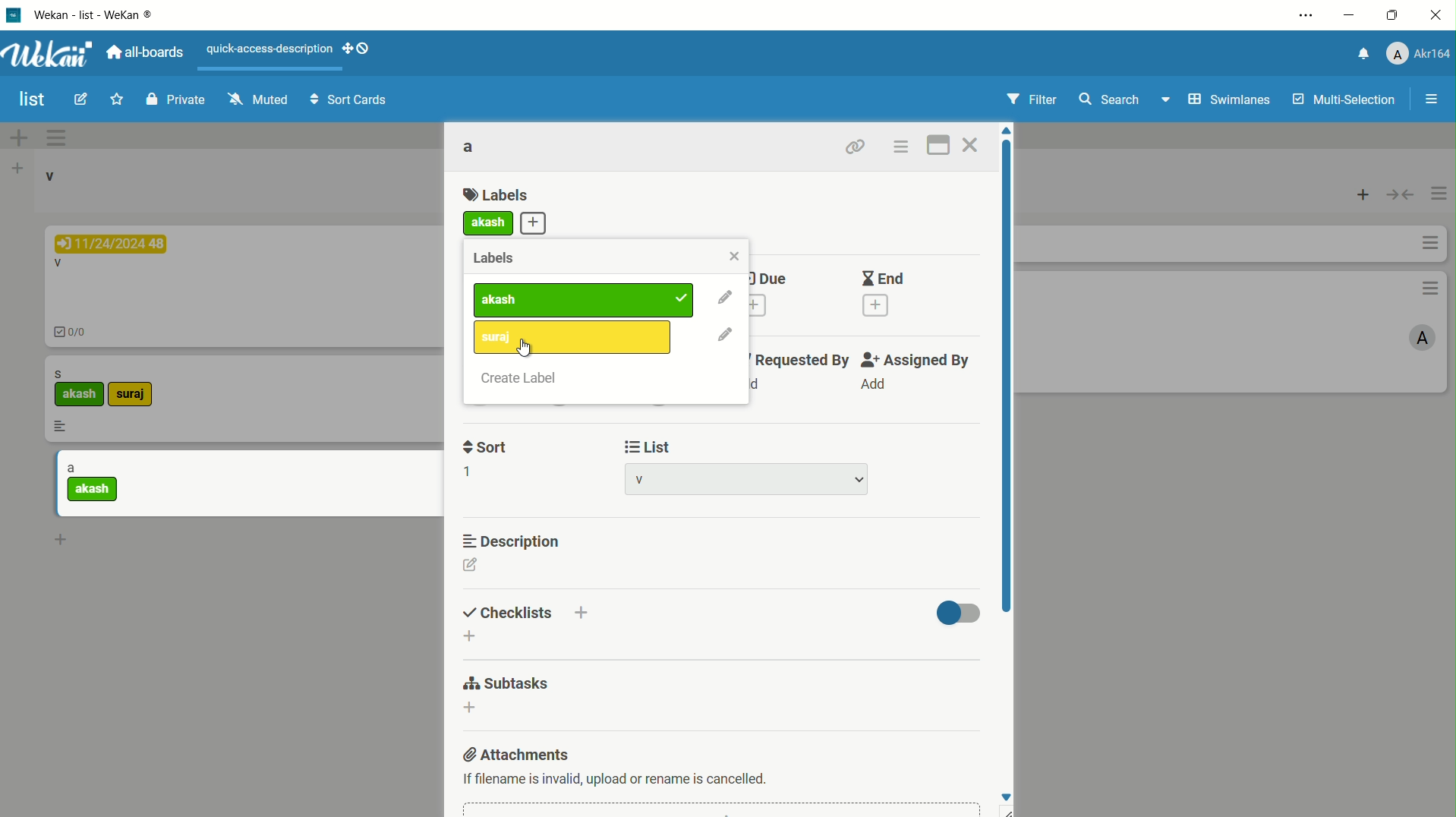  What do you see at coordinates (99, 491) in the screenshot?
I see `akash` at bounding box center [99, 491].